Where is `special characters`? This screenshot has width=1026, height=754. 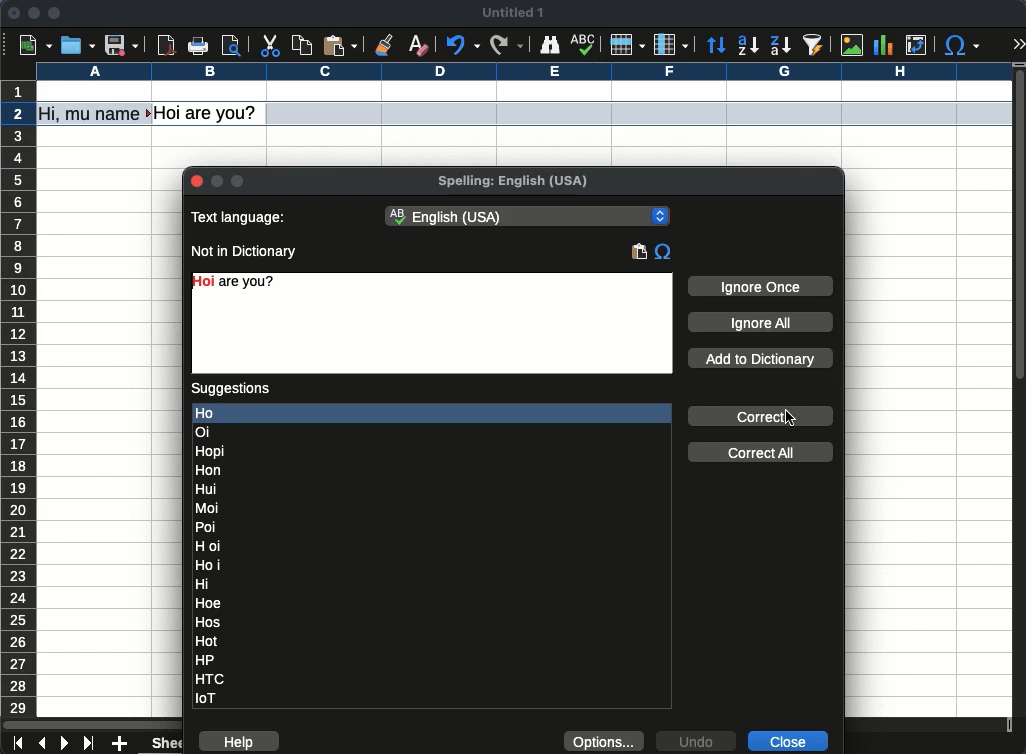
special characters is located at coordinates (663, 253).